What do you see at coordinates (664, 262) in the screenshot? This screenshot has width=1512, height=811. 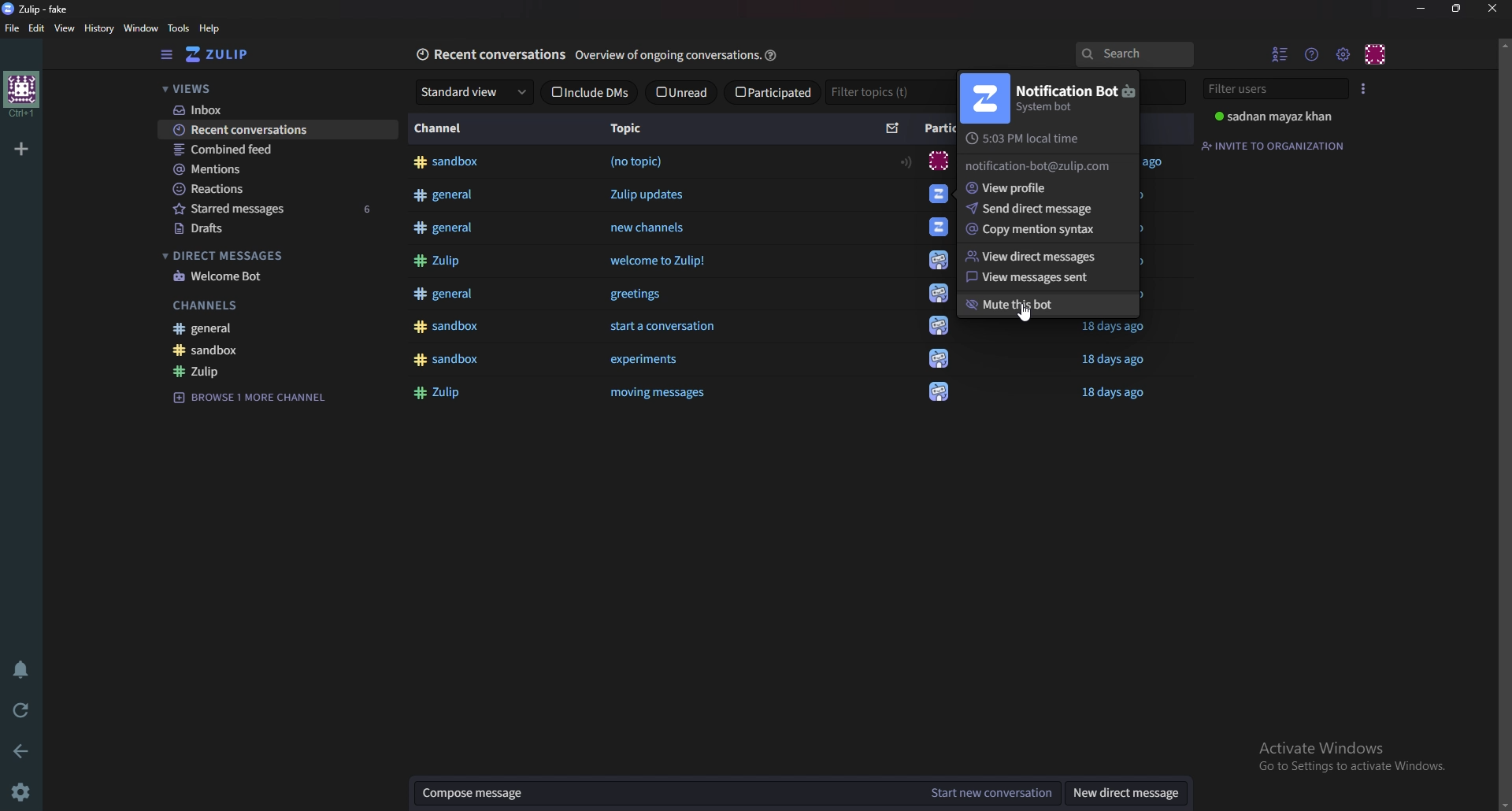 I see `welcome to Zulip!` at bounding box center [664, 262].